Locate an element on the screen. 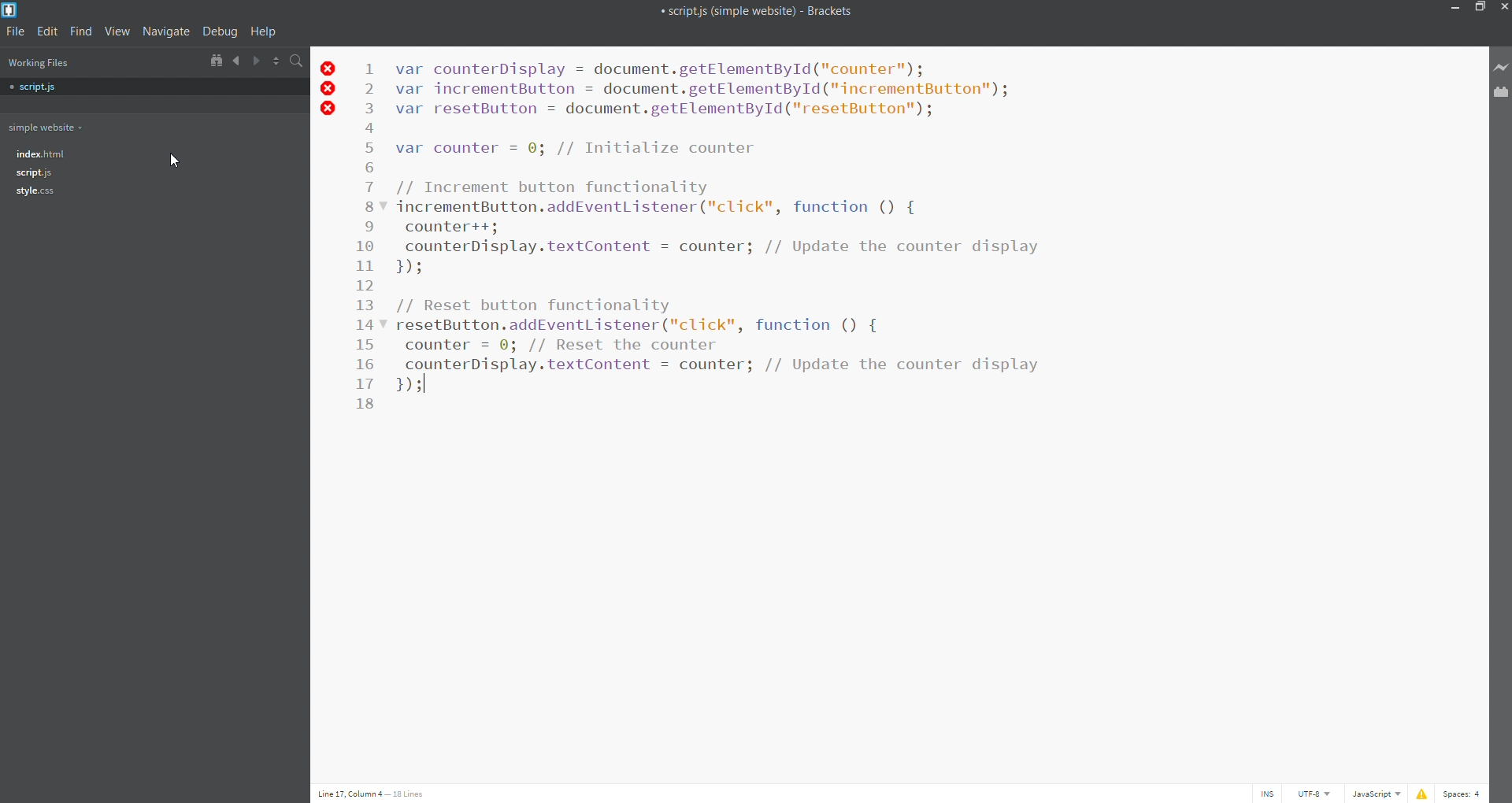 The height and width of the screenshot is (803, 1512). search is located at coordinates (298, 60).